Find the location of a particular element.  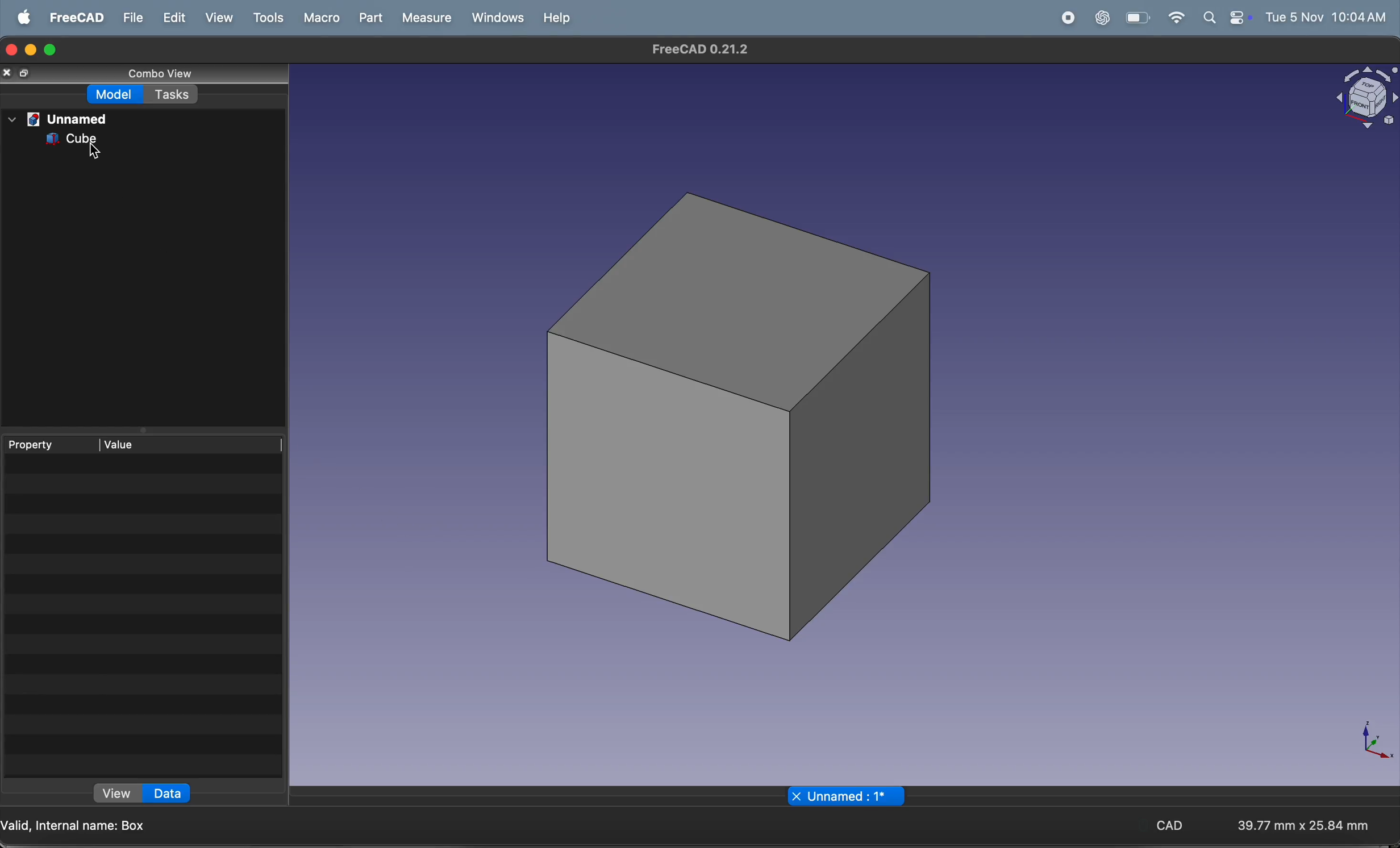

copy is located at coordinates (17, 76).